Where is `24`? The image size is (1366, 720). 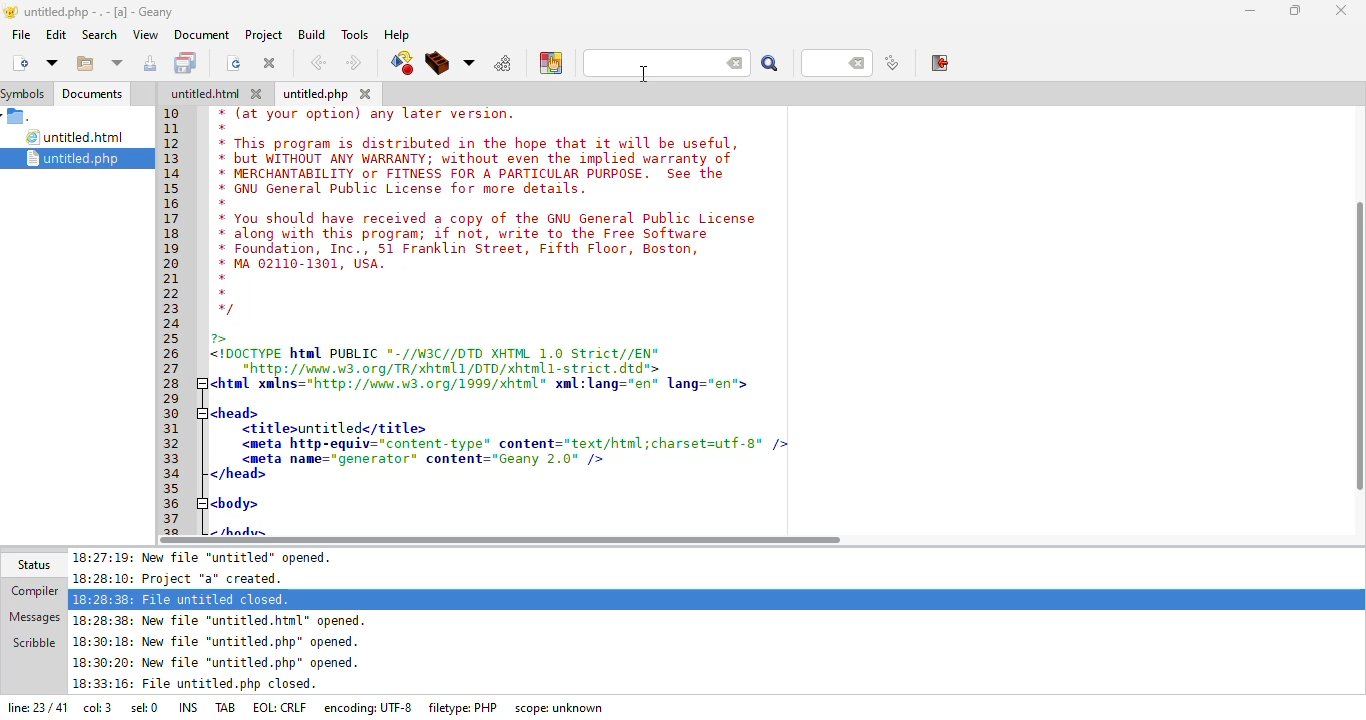
24 is located at coordinates (173, 325).